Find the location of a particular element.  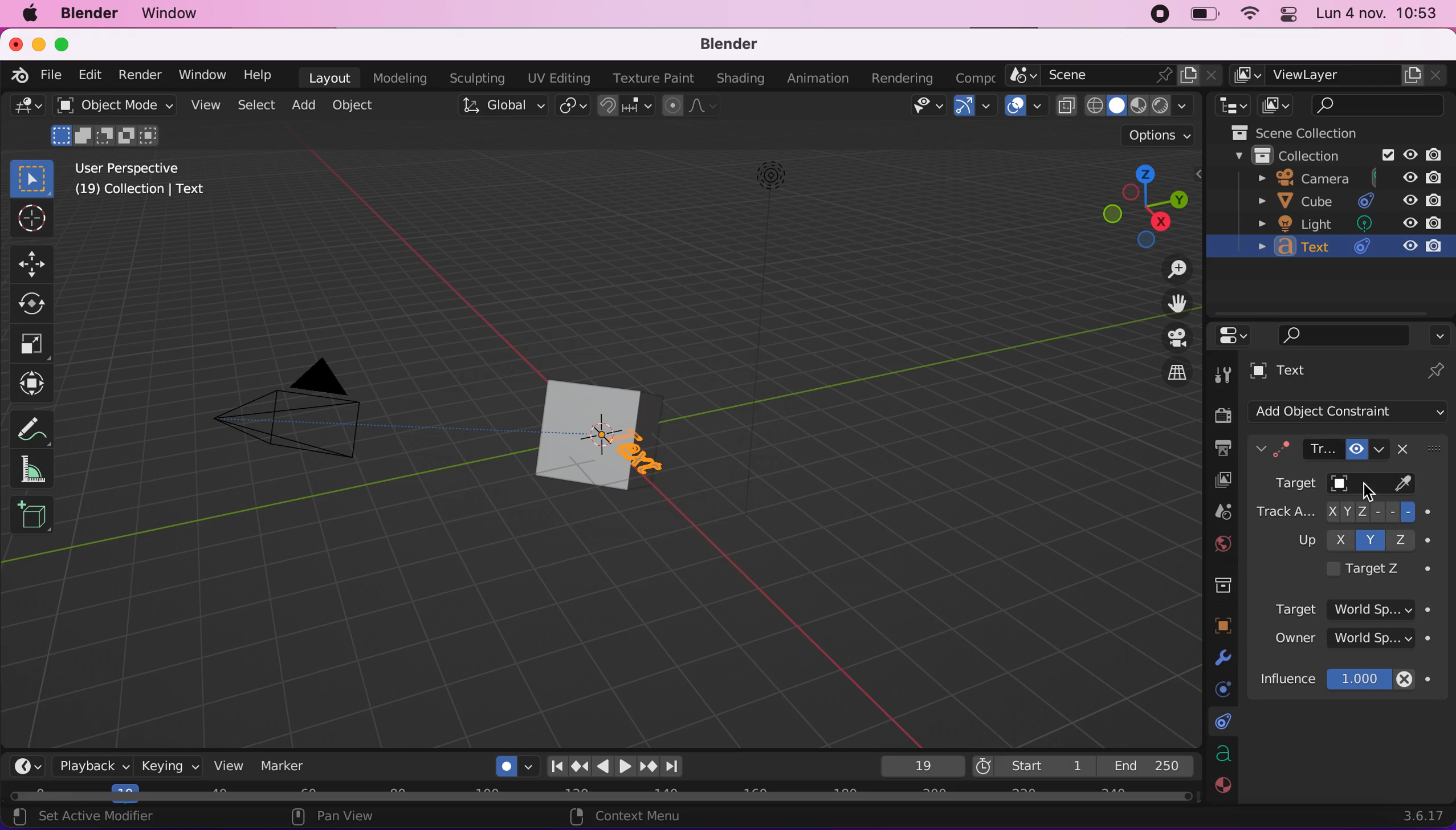

objects is located at coordinates (1225, 625).